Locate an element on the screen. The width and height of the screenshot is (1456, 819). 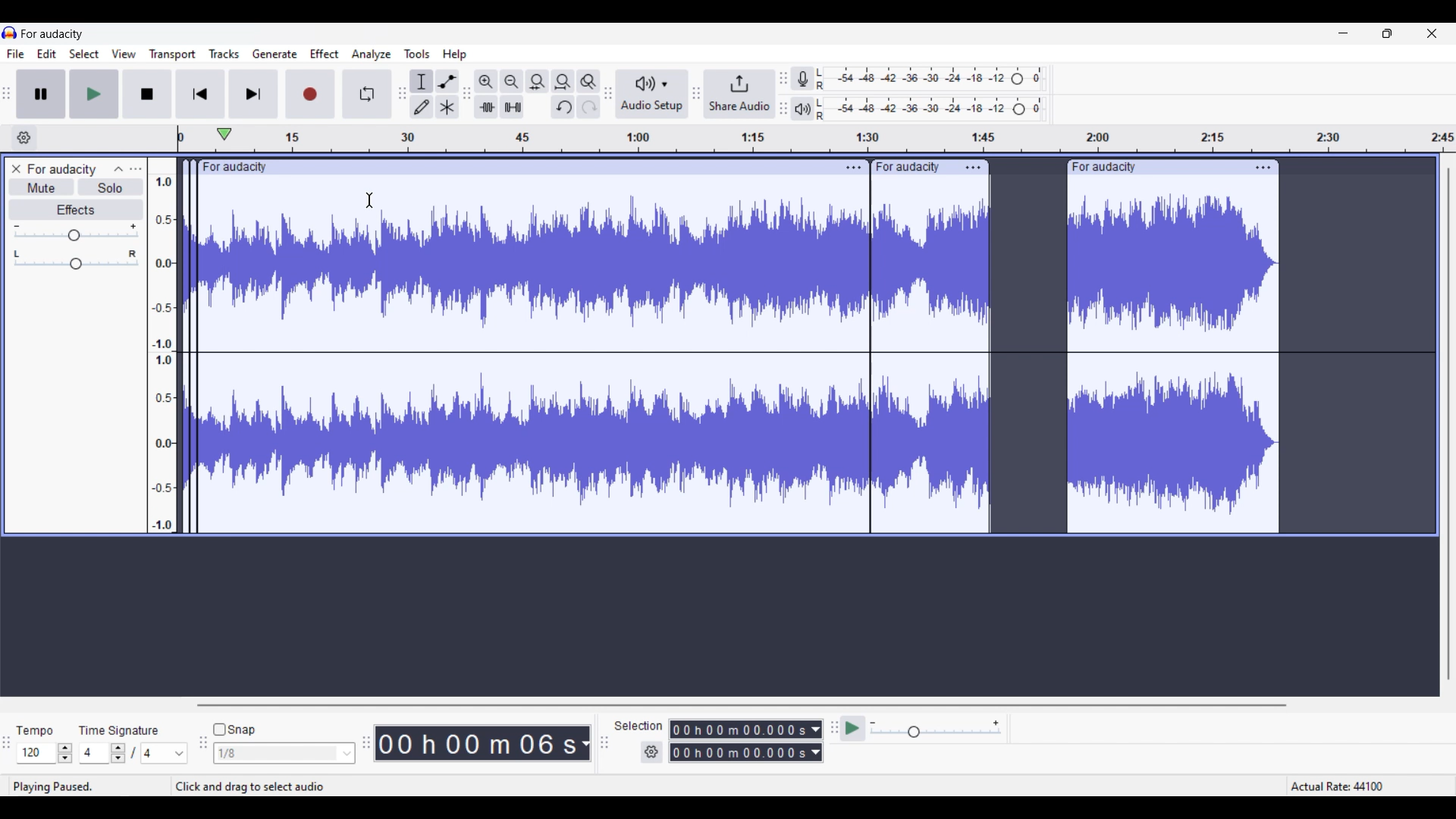
Close track is located at coordinates (19, 168).